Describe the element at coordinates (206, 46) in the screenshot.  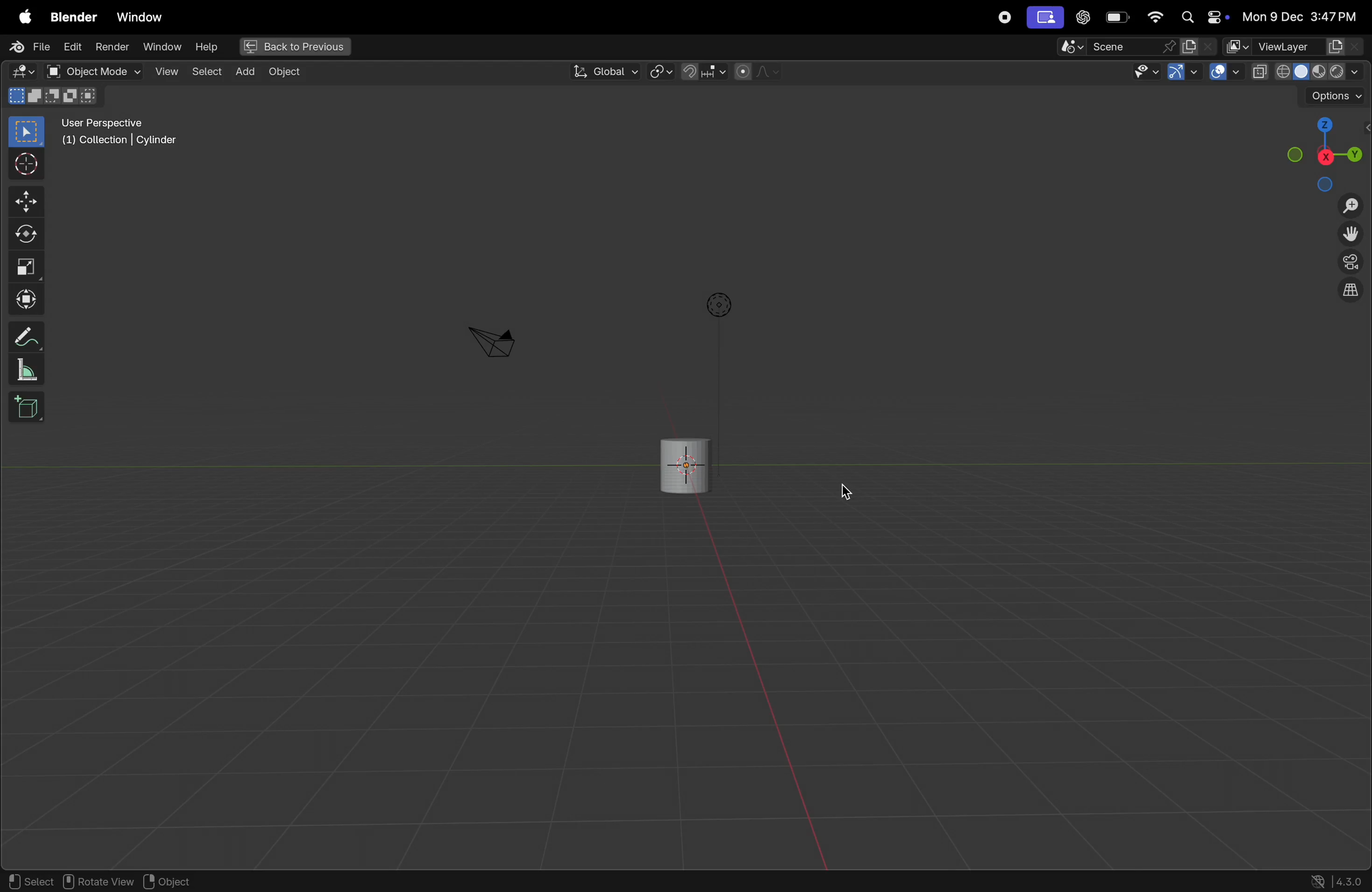
I see `help` at that location.